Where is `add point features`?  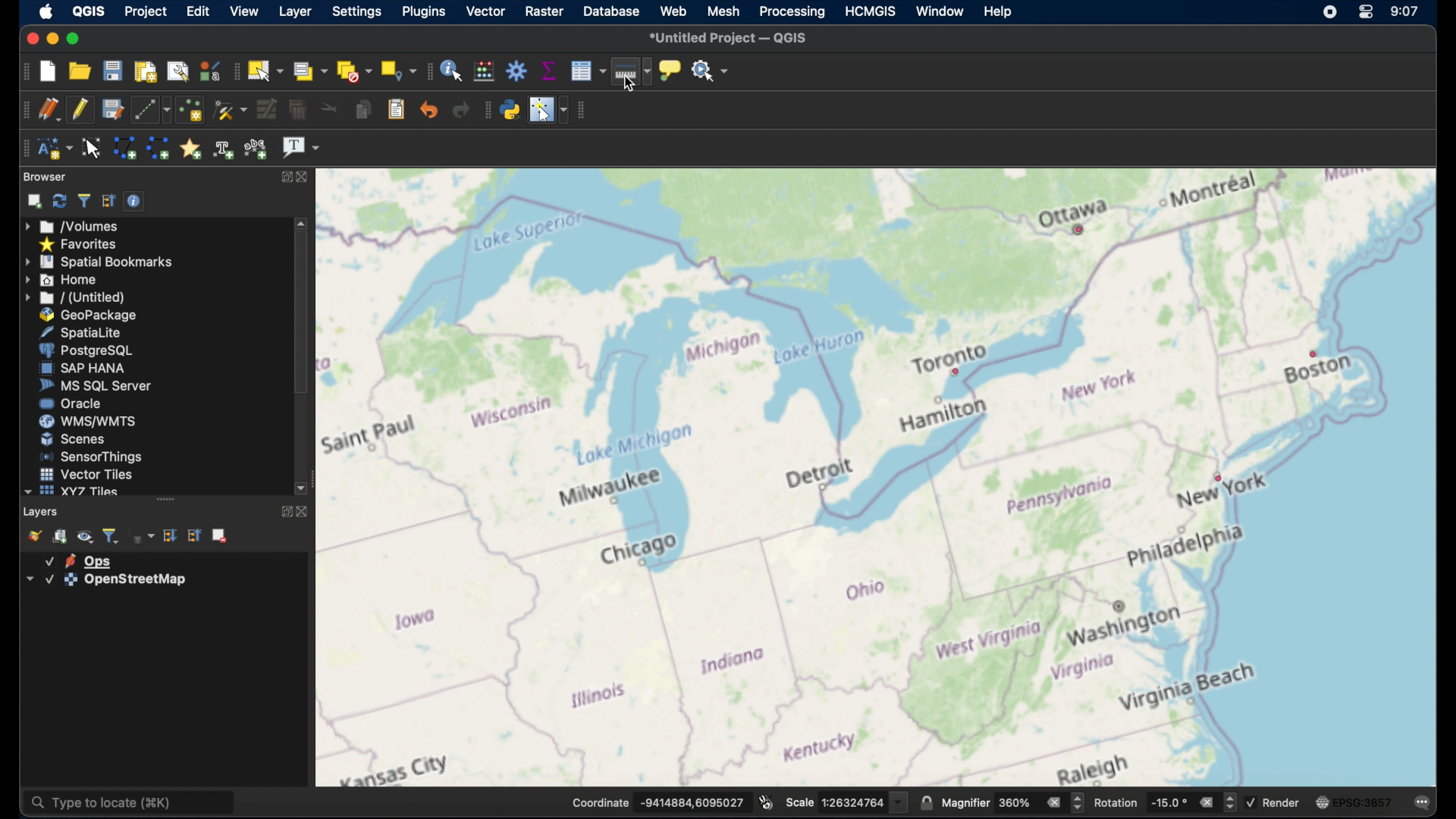
add point features is located at coordinates (190, 109).